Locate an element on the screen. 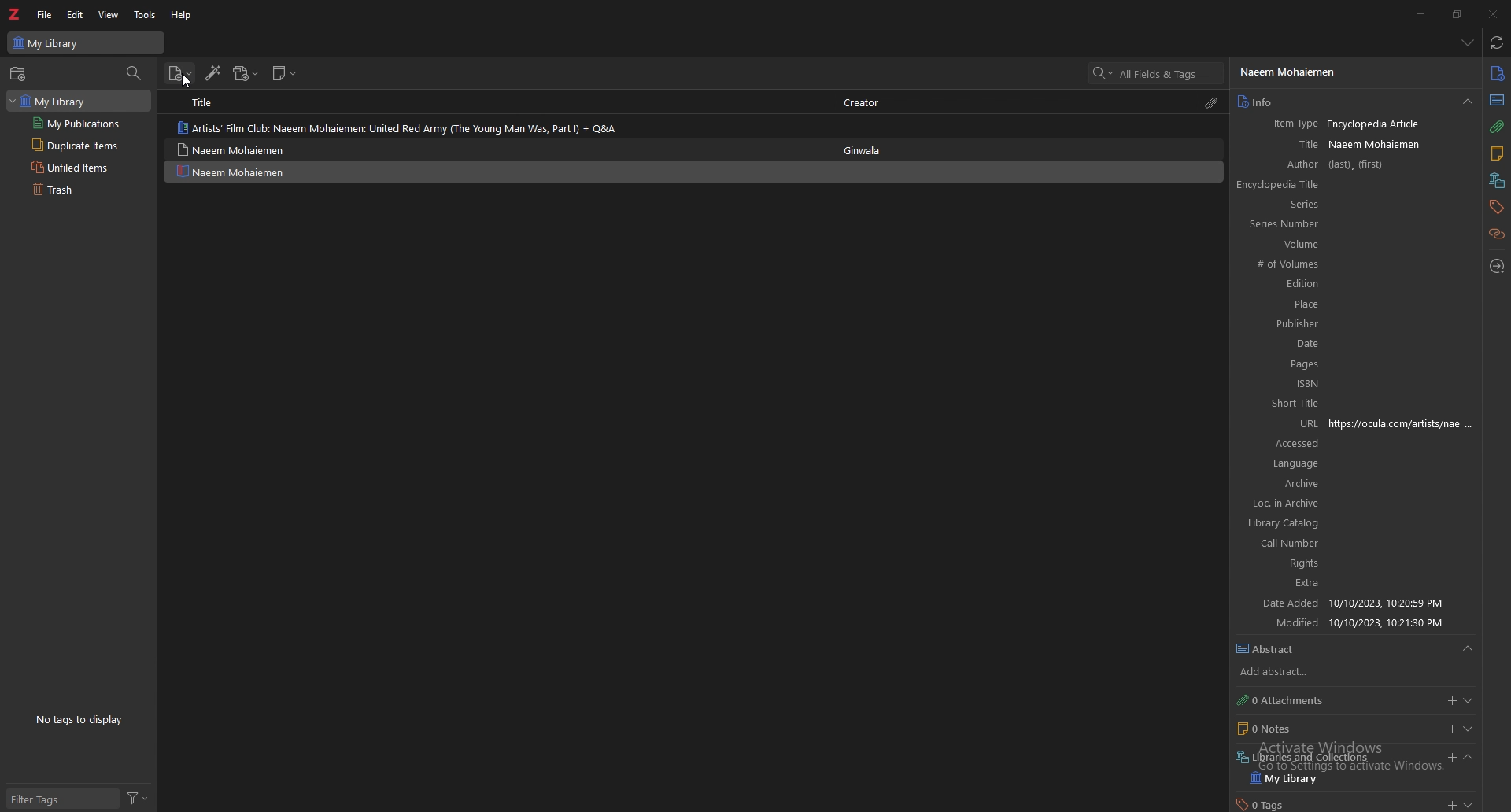 The width and height of the screenshot is (1511, 812). add abstract is located at coordinates (1354, 672).